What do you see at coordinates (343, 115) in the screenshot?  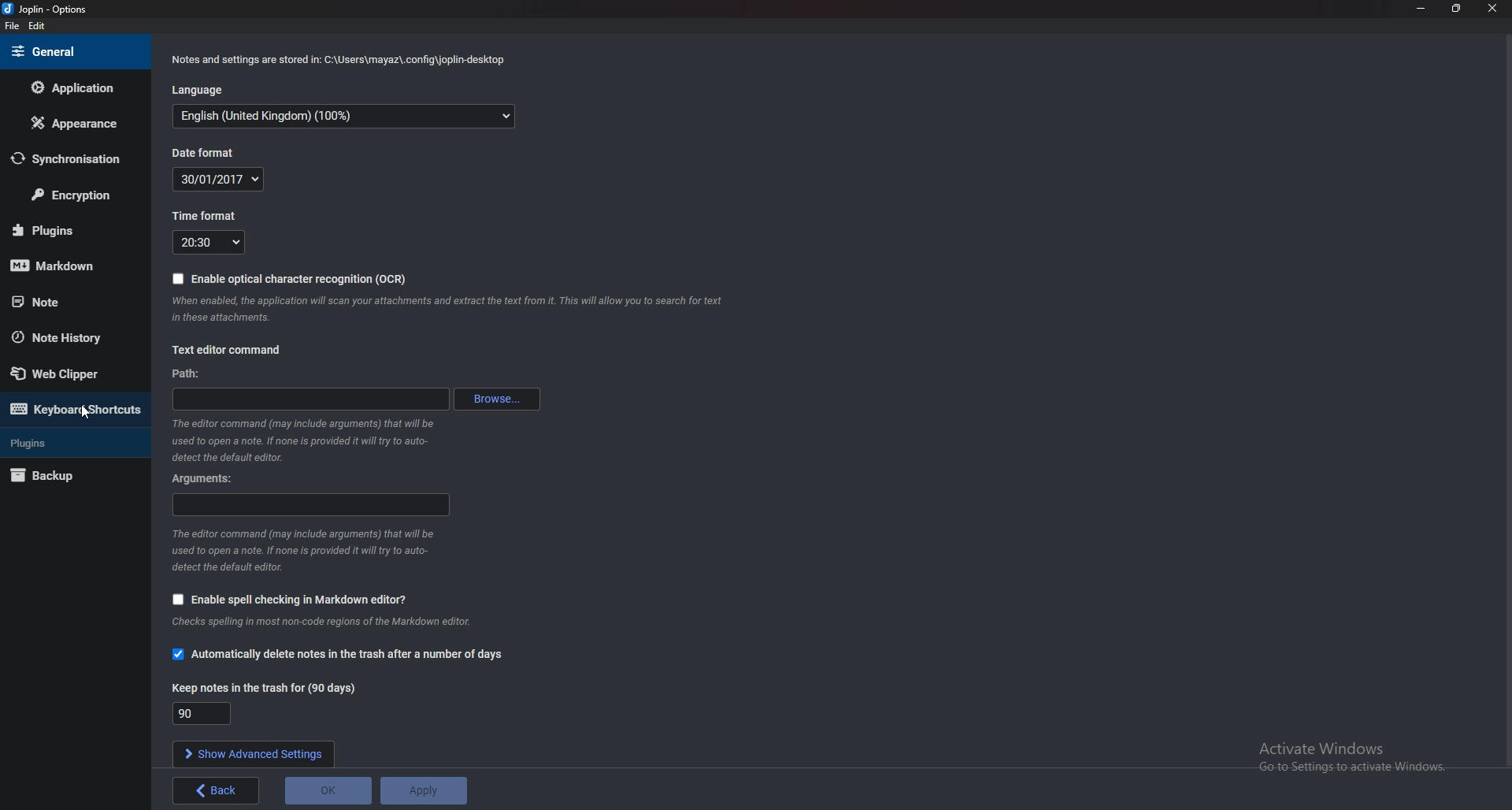 I see `English (United Kingdom) (100%0` at bounding box center [343, 115].